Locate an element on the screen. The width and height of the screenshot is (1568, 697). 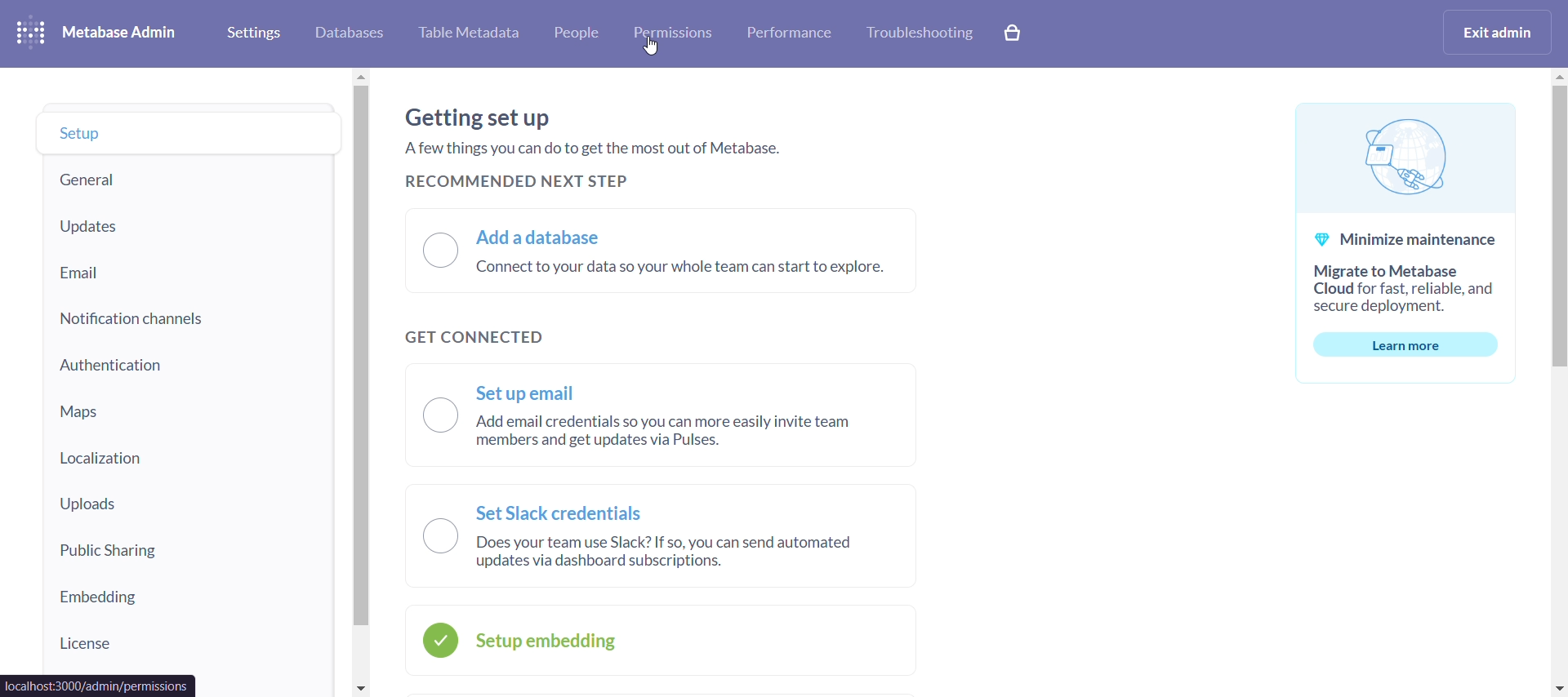
updates is located at coordinates (191, 224).